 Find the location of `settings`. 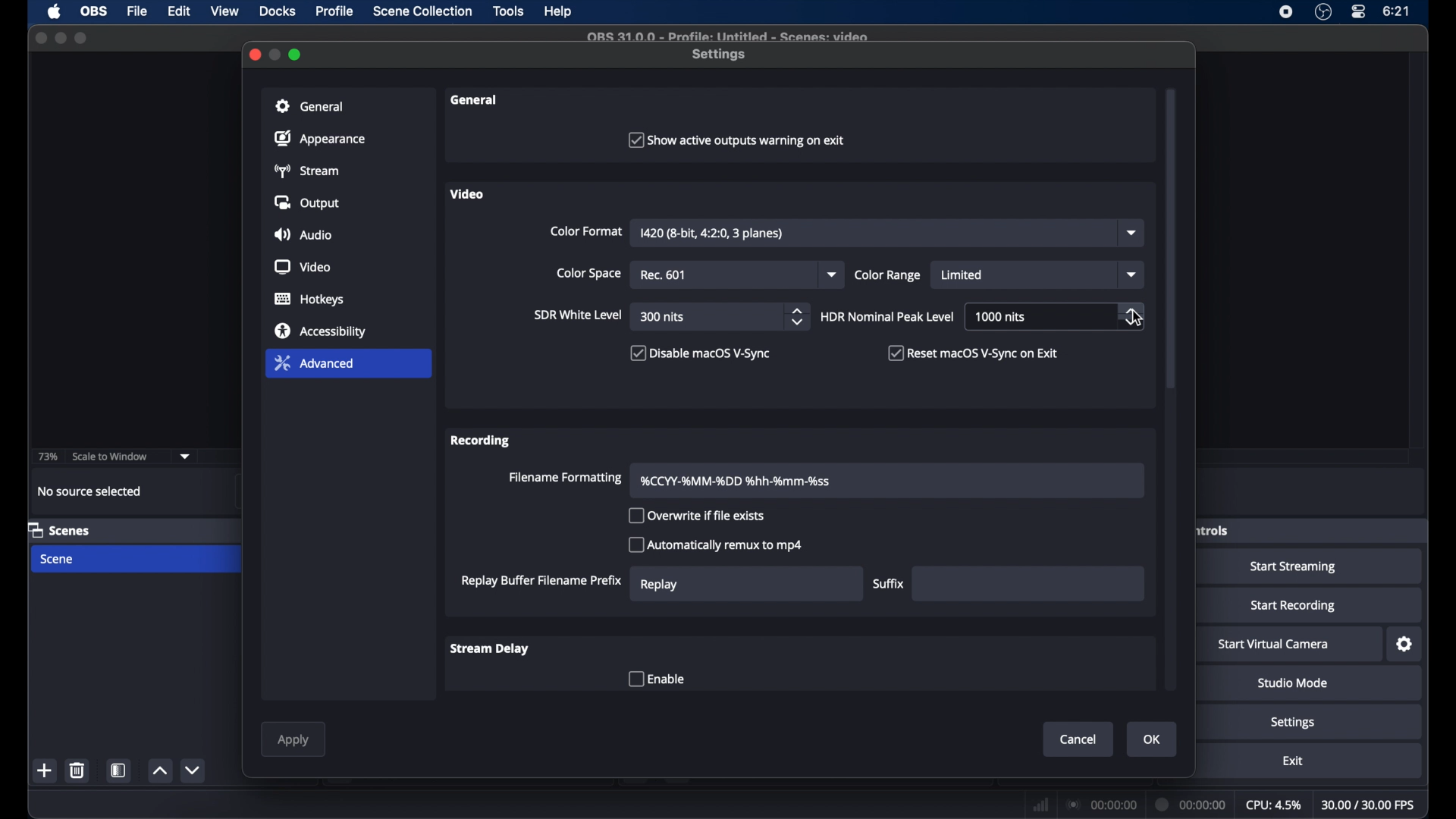

settings is located at coordinates (1405, 645).